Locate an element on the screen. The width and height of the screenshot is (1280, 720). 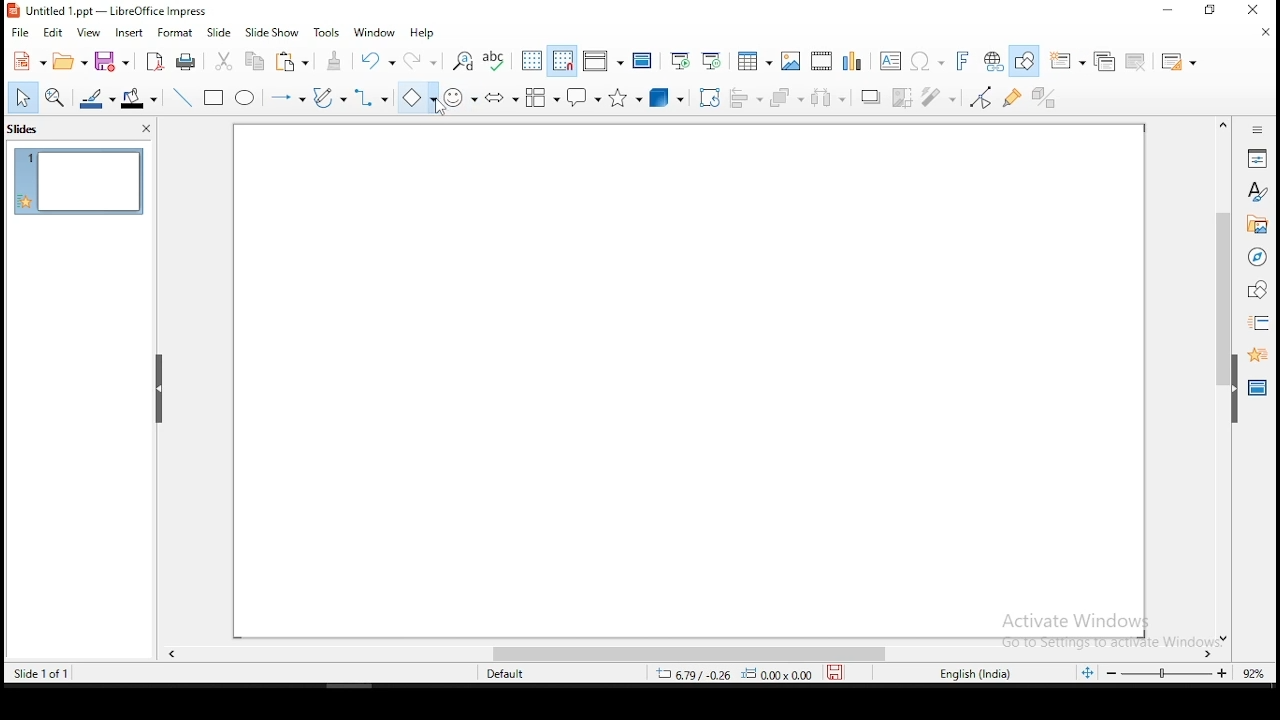
properties is located at coordinates (1259, 157).